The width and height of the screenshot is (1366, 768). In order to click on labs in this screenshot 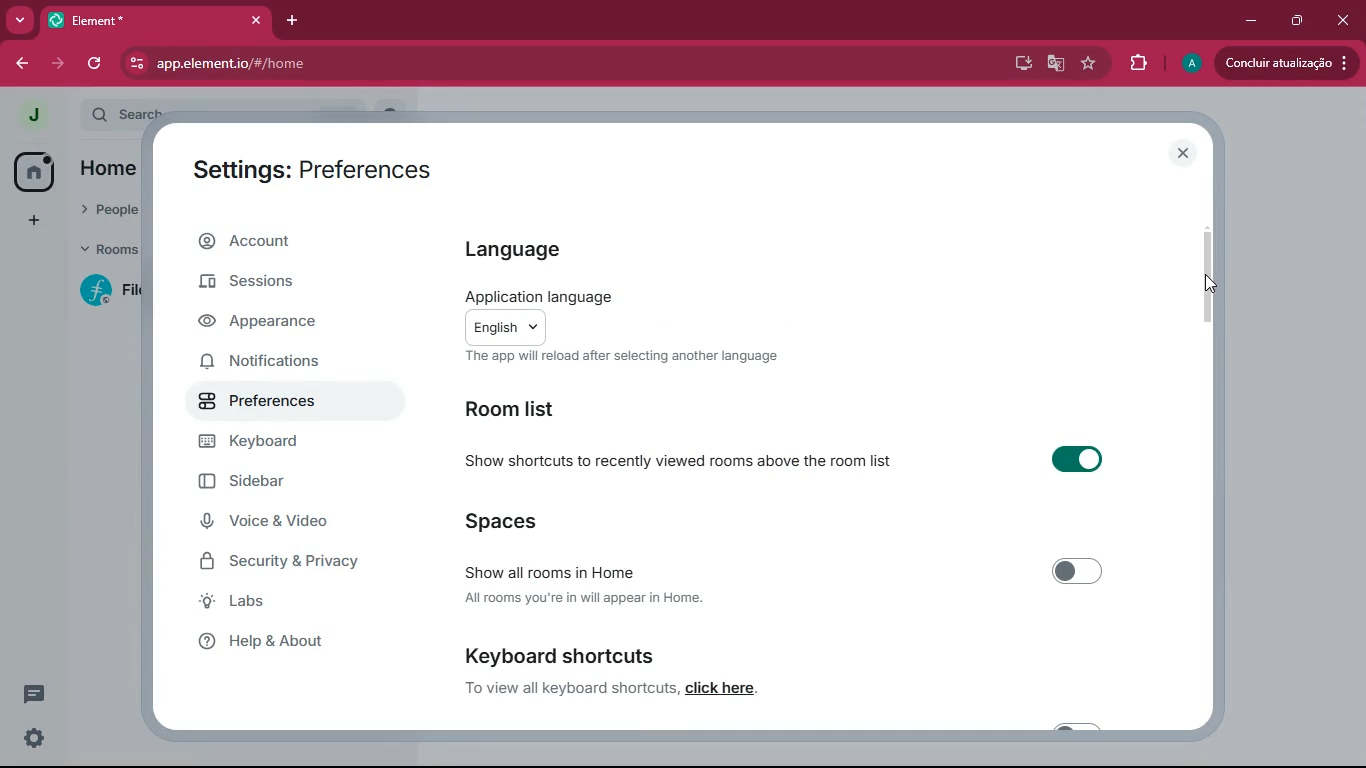, I will do `click(297, 602)`.